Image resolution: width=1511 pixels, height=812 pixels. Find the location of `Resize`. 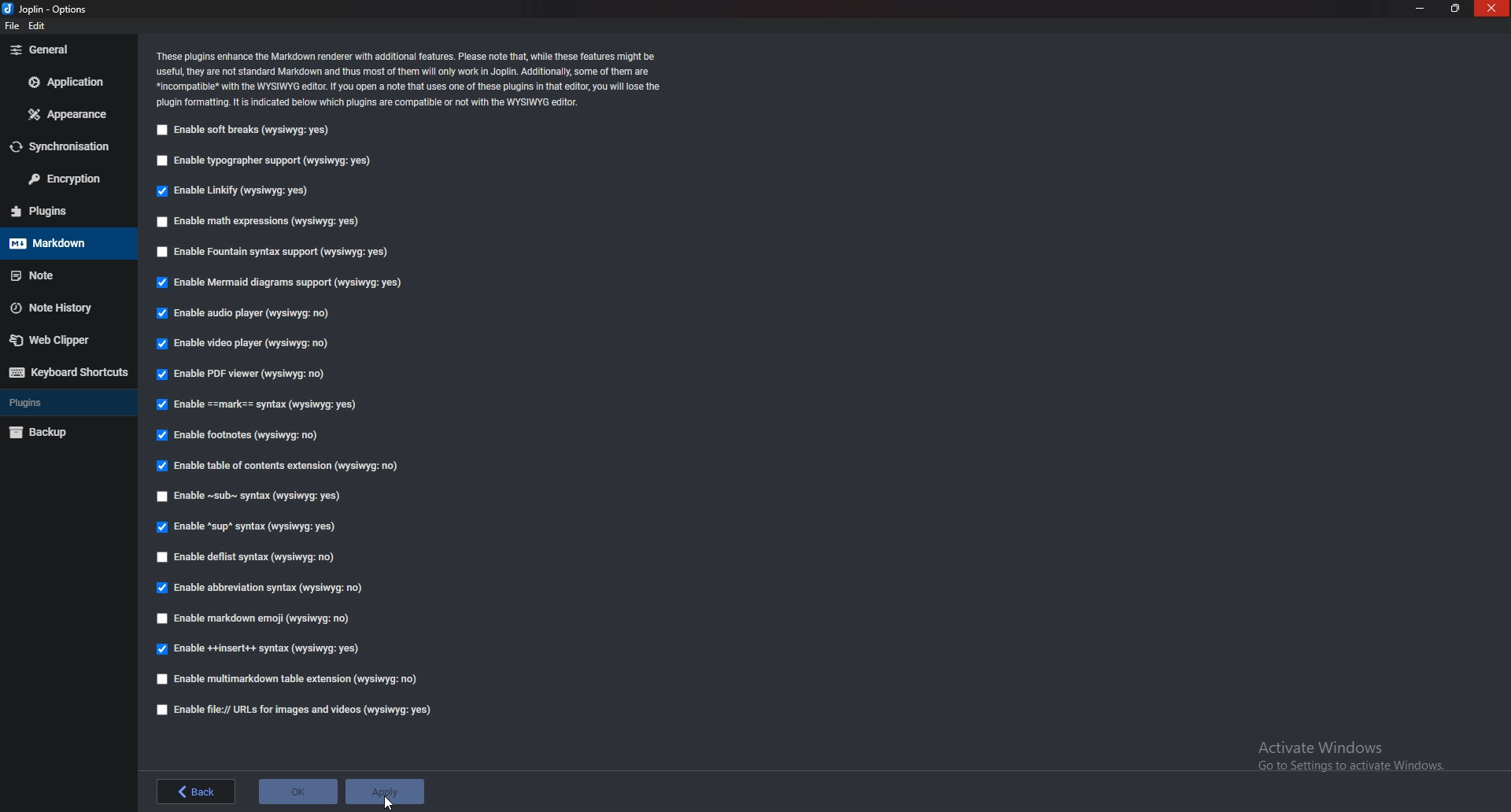

Resize is located at coordinates (1454, 8).